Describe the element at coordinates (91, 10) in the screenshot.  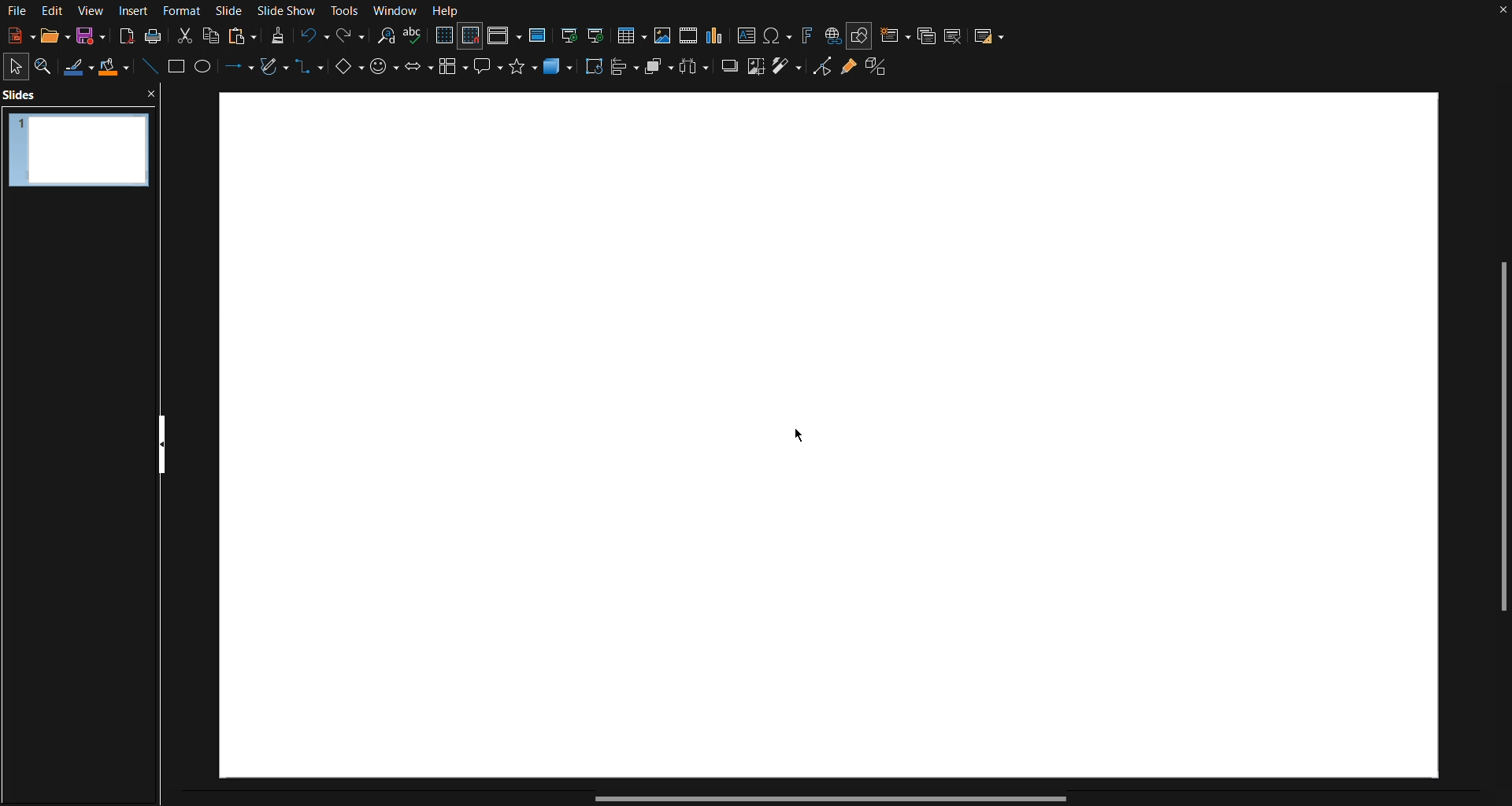
I see `View` at that location.